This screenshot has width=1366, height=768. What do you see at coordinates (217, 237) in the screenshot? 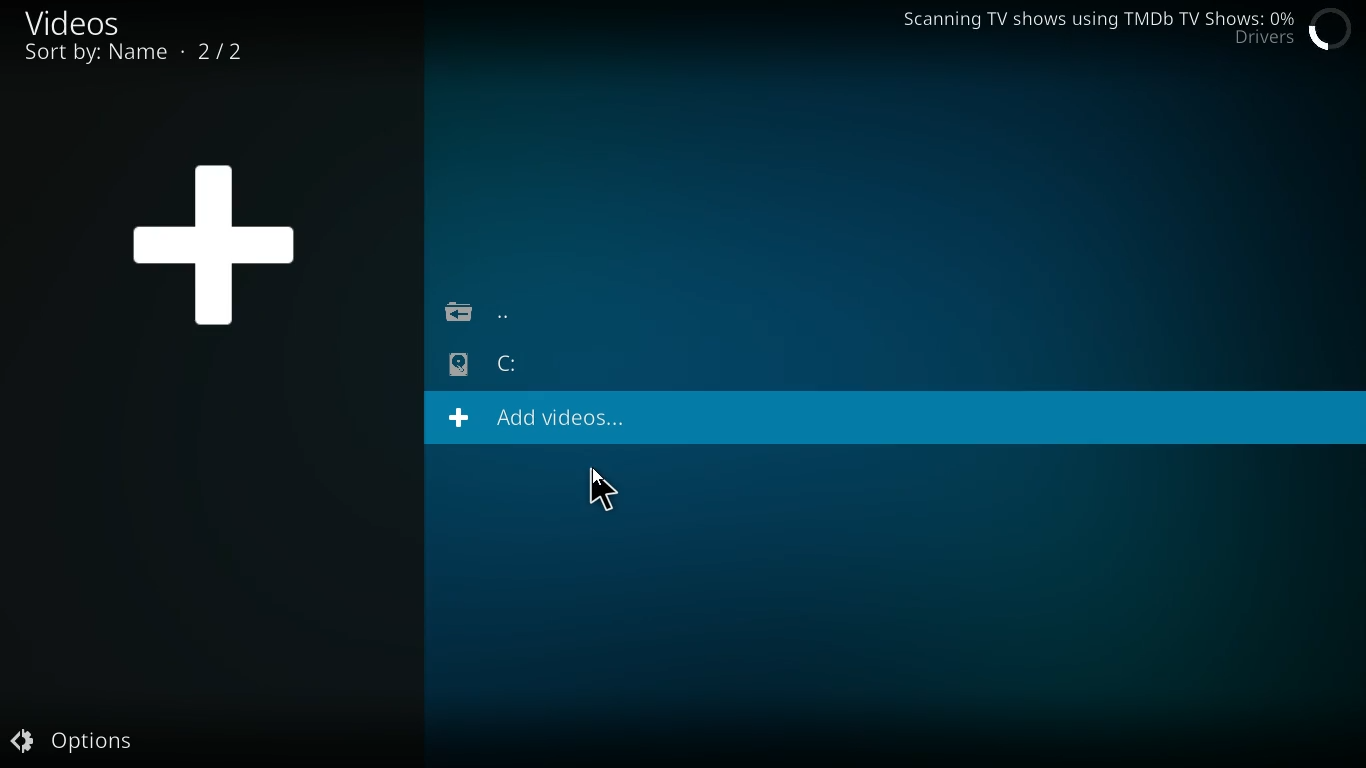
I see ` +` at bounding box center [217, 237].